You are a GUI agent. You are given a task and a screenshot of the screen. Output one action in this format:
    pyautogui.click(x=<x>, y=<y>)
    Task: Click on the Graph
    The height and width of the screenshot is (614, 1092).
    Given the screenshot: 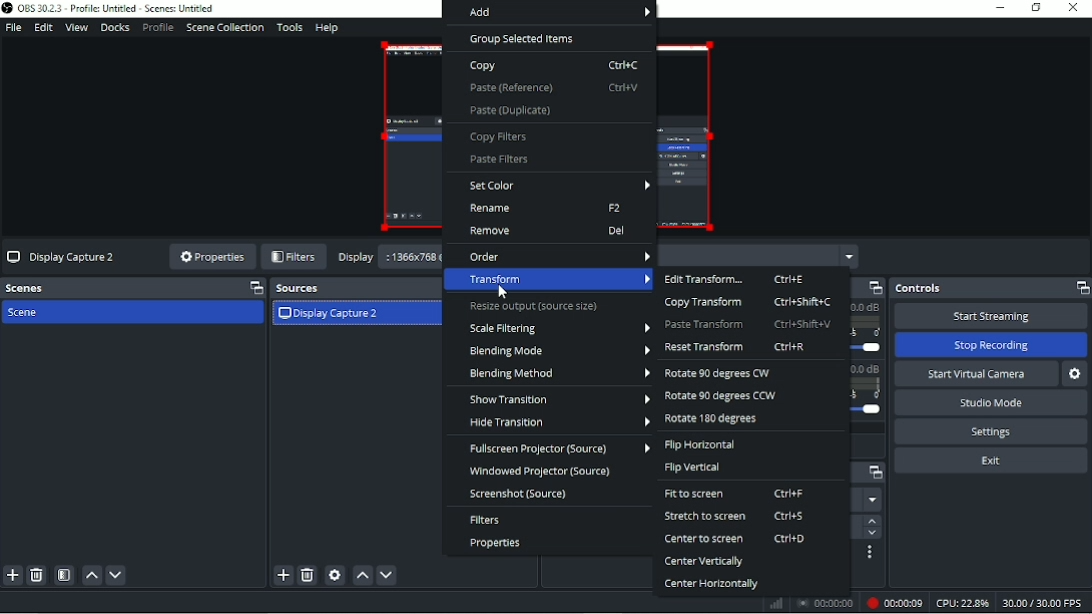 What is the action you would take?
    pyautogui.click(x=778, y=604)
    